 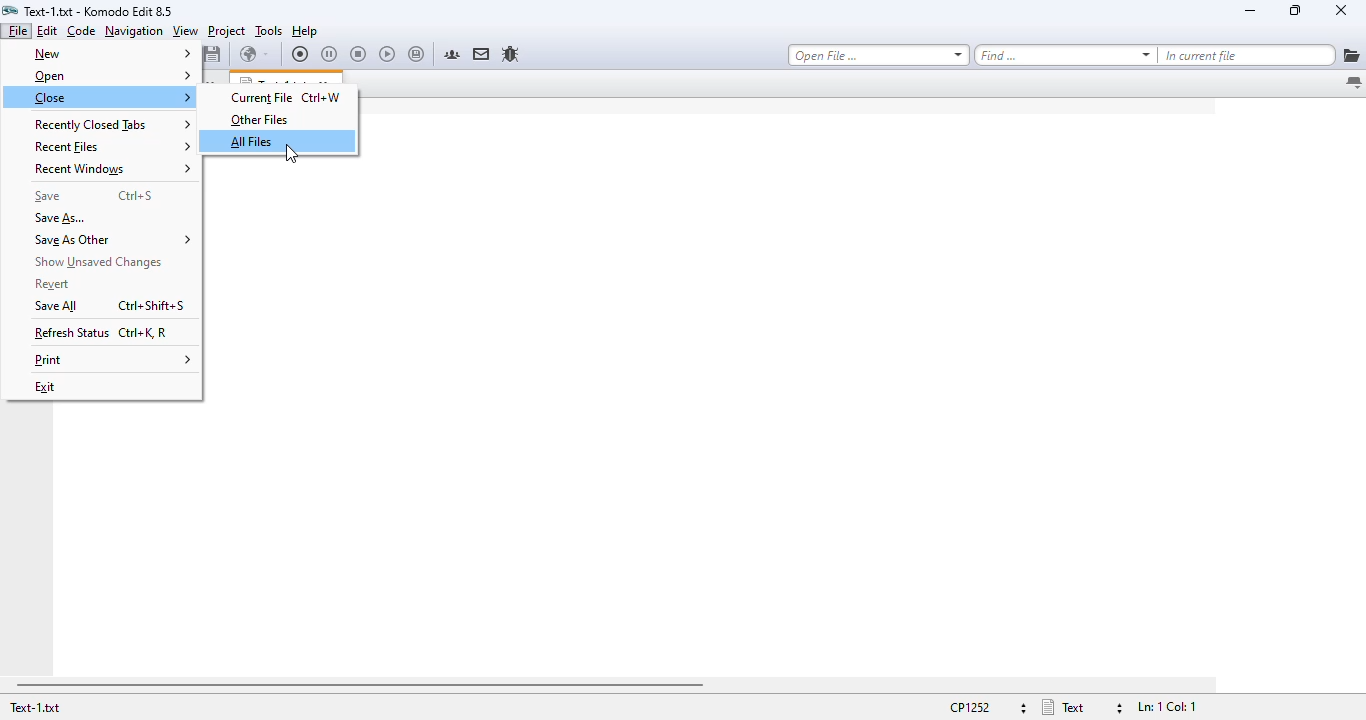 What do you see at coordinates (452, 54) in the screenshot?
I see `komodo community` at bounding box center [452, 54].